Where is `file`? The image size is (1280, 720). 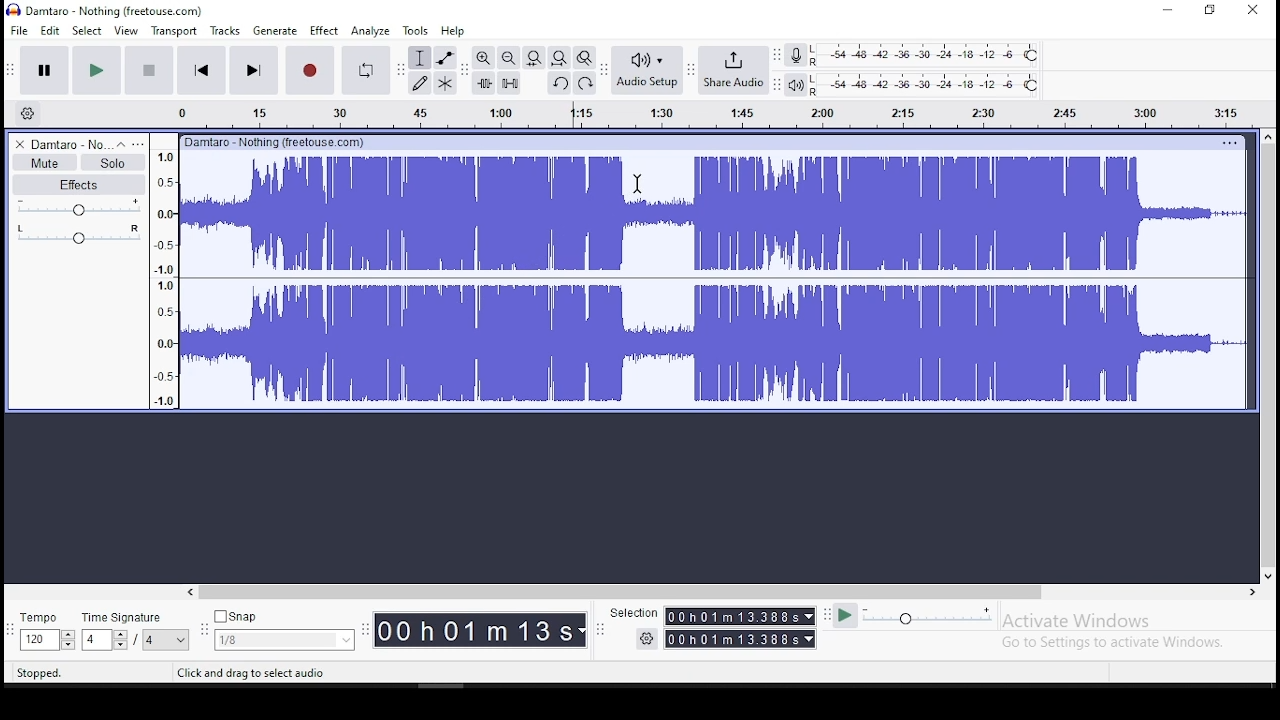 file is located at coordinates (20, 29).